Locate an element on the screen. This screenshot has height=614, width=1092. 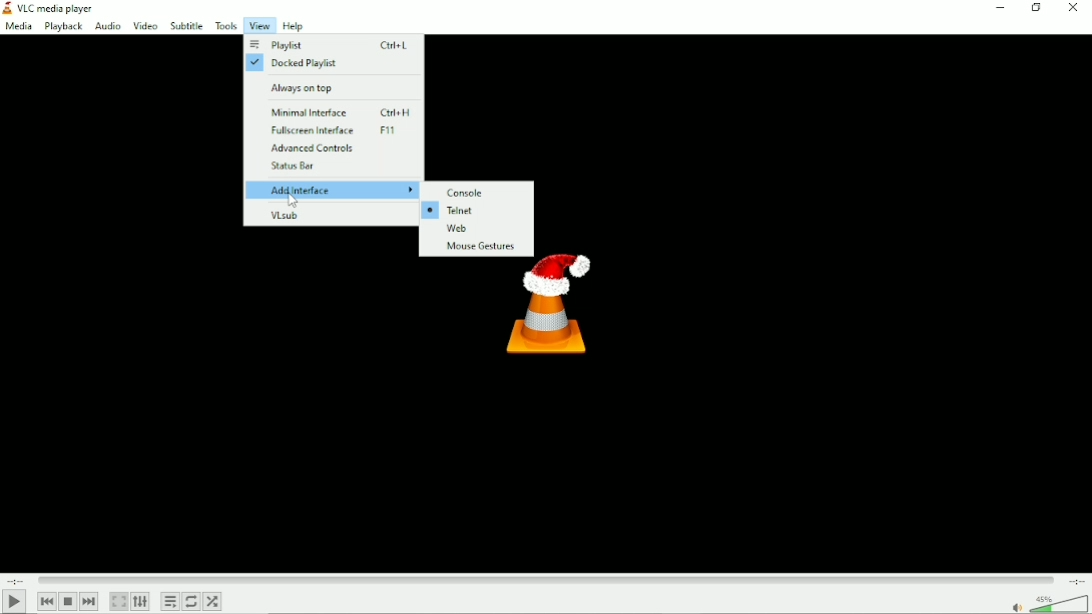
Previous is located at coordinates (46, 601).